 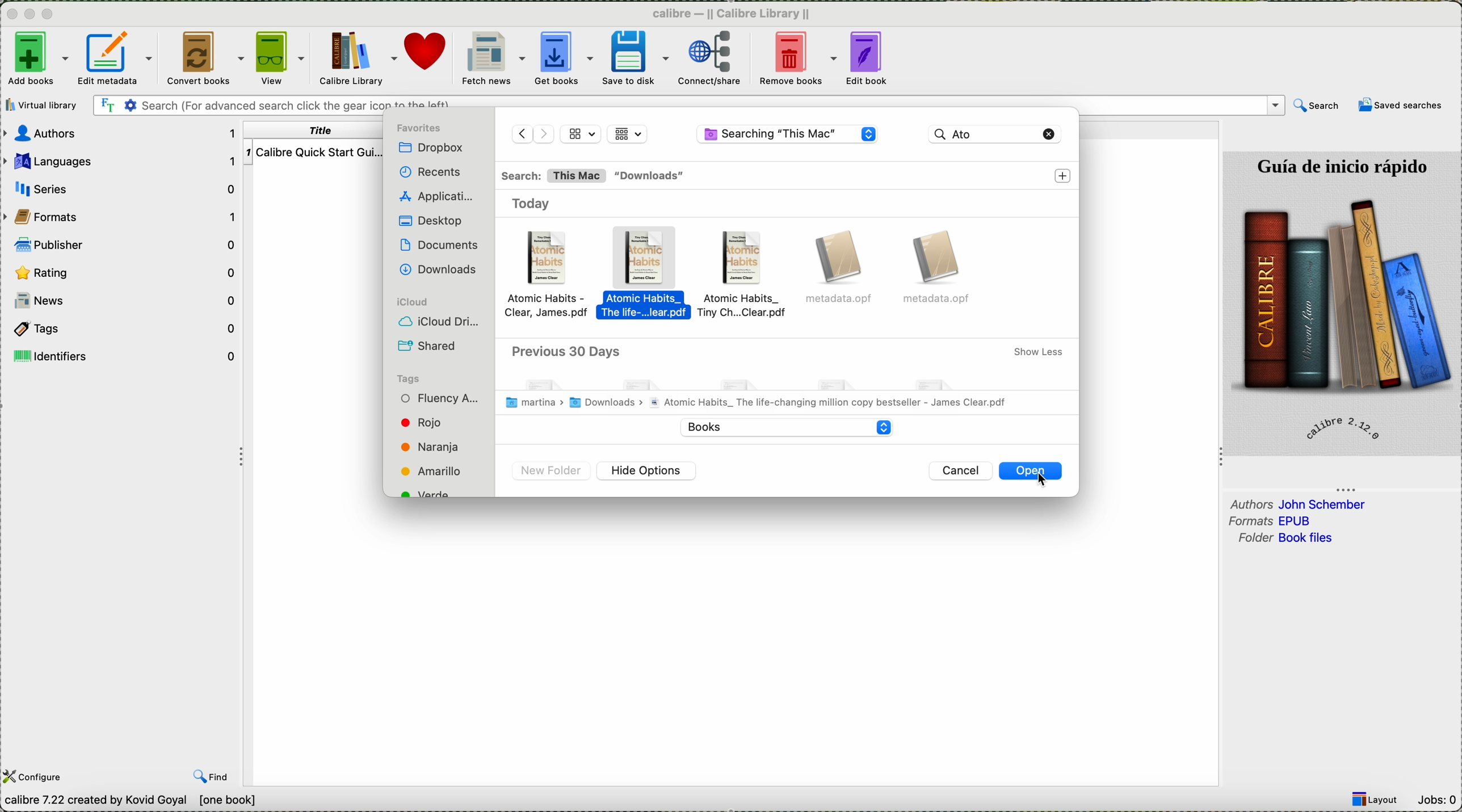 I want to click on tags, so click(x=409, y=377).